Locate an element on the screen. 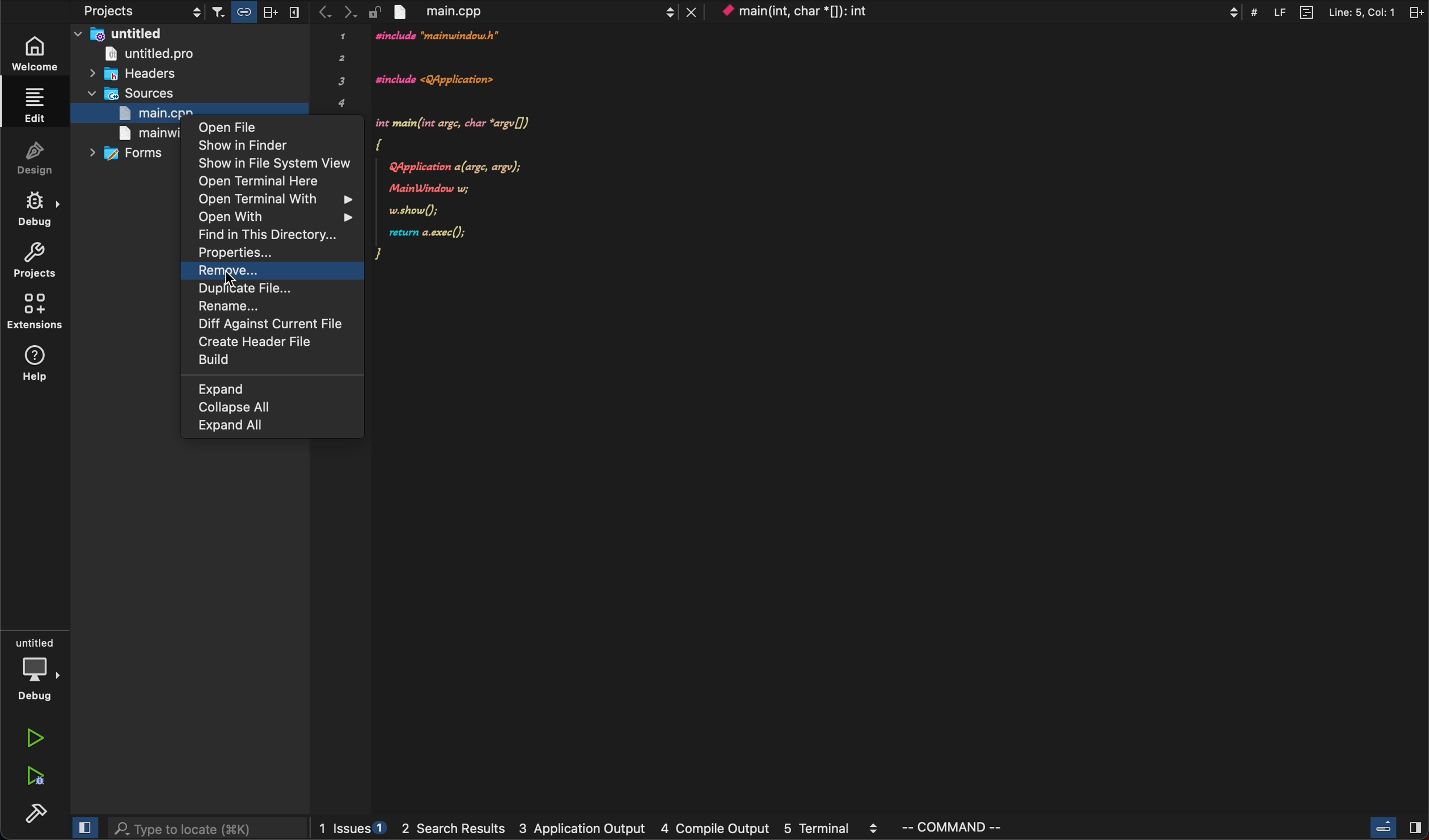 The image size is (1429, 840). design is located at coordinates (36, 158).